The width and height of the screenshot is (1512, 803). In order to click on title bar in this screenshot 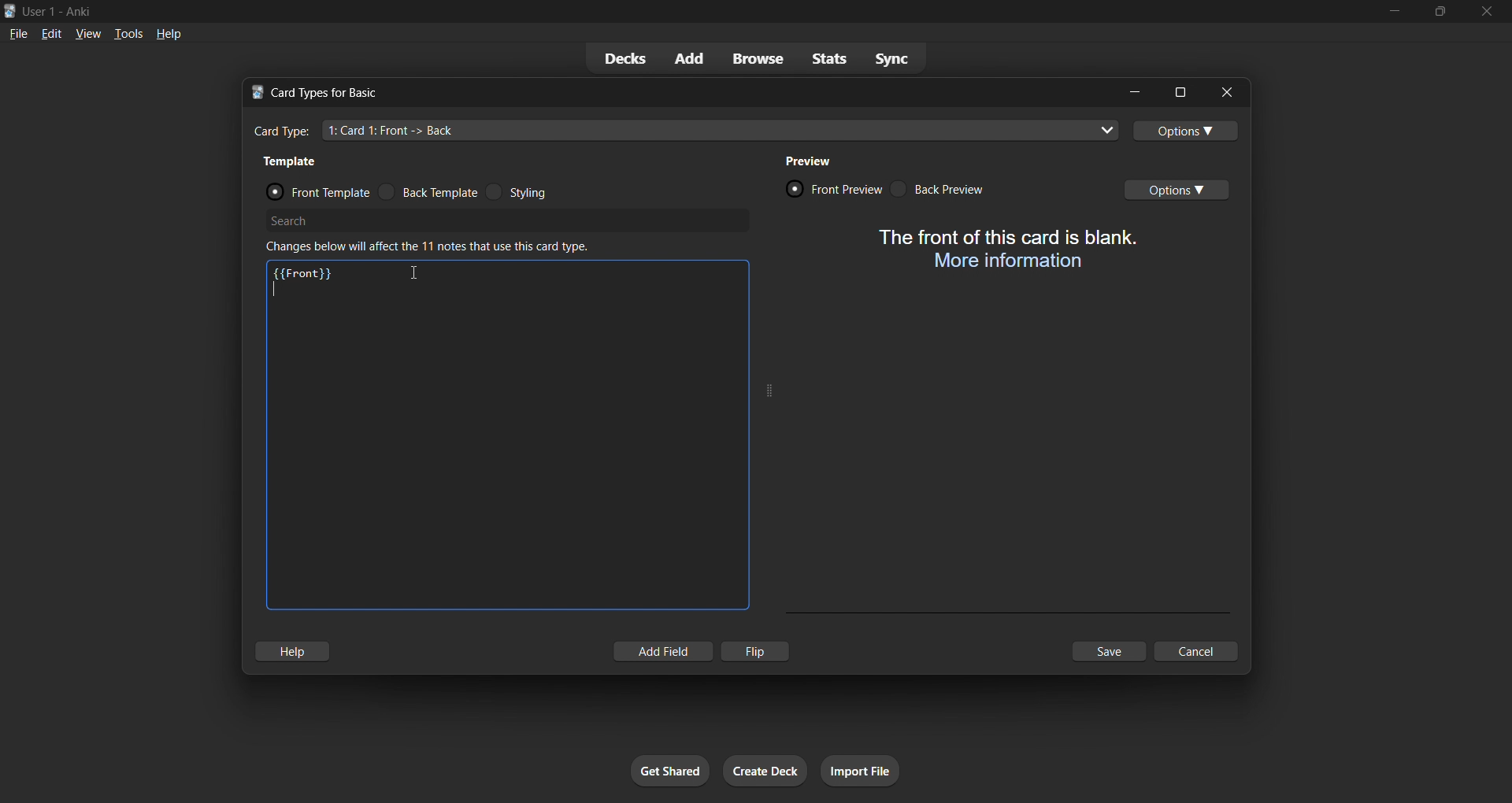, I will do `click(661, 10)`.